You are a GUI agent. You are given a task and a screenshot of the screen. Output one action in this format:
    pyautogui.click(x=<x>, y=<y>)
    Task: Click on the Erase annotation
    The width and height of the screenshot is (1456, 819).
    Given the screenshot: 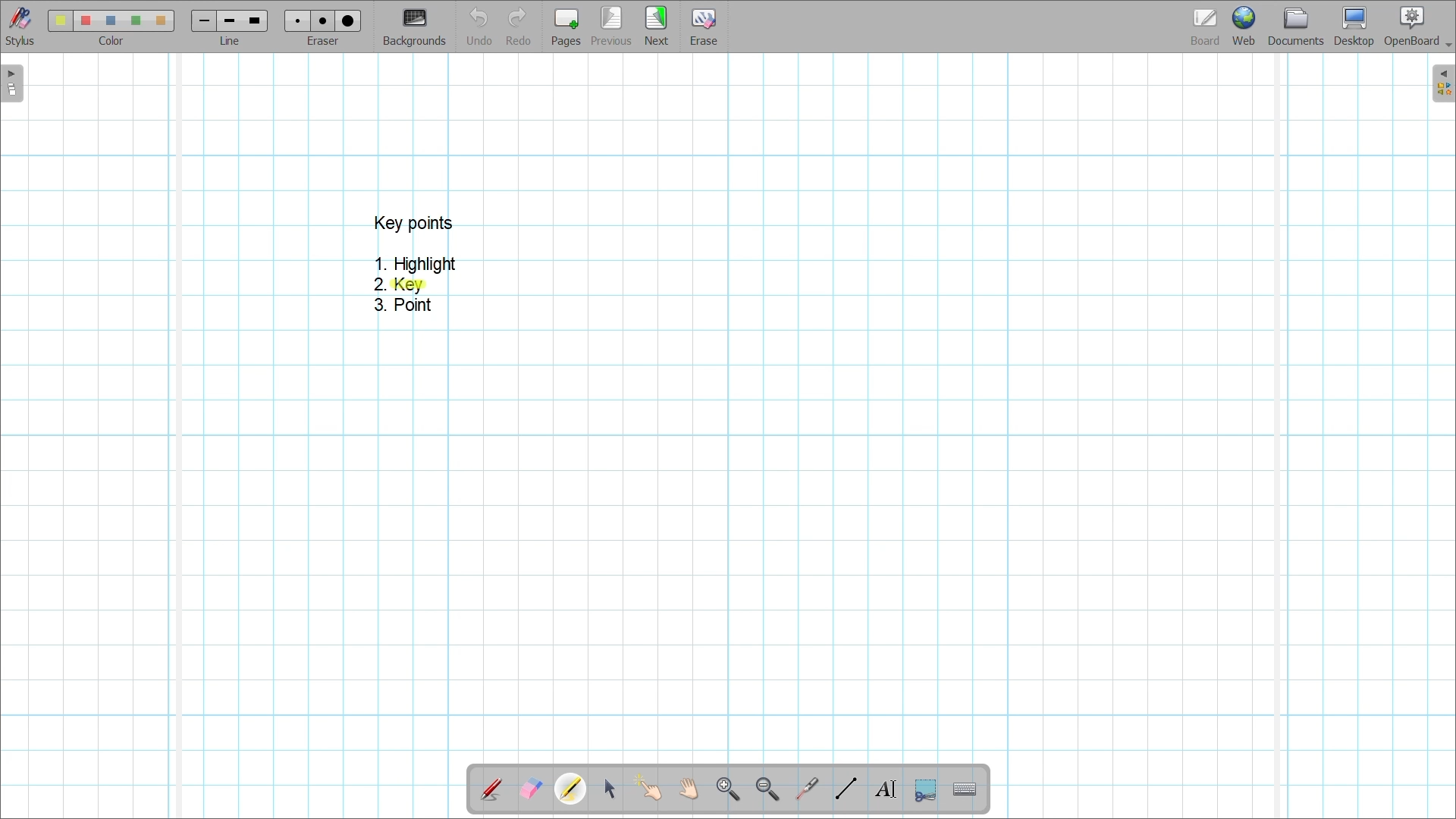 What is the action you would take?
    pyautogui.click(x=532, y=789)
    